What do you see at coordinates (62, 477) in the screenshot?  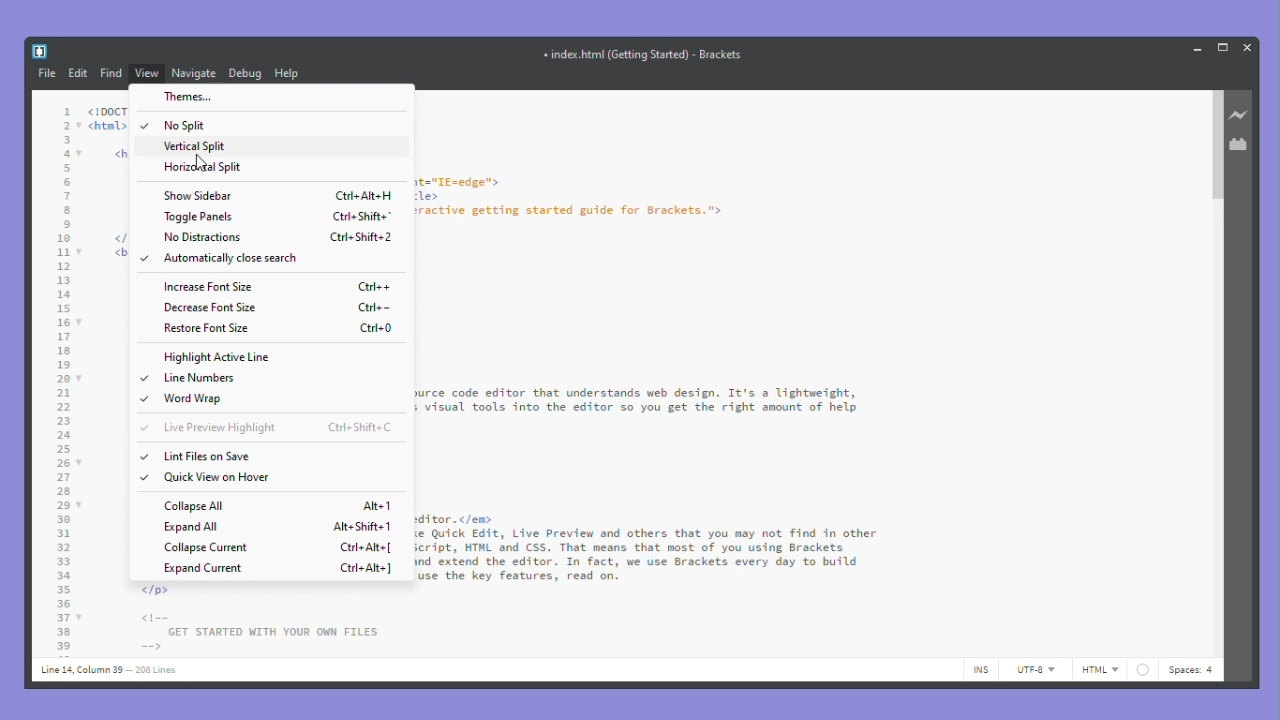 I see `27` at bounding box center [62, 477].